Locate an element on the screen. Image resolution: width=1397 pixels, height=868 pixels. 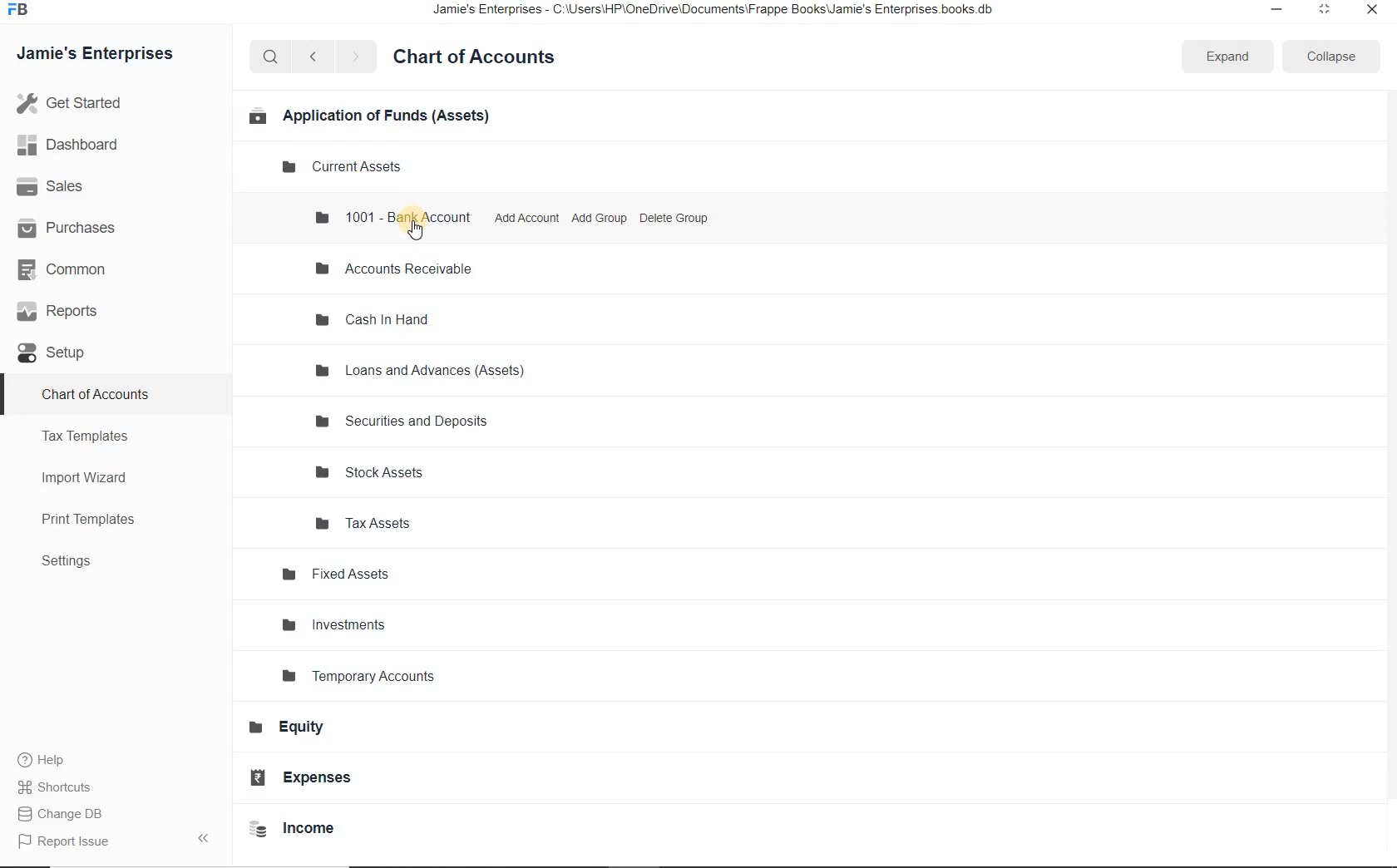
Loans and Advances (Assets) is located at coordinates (422, 372).